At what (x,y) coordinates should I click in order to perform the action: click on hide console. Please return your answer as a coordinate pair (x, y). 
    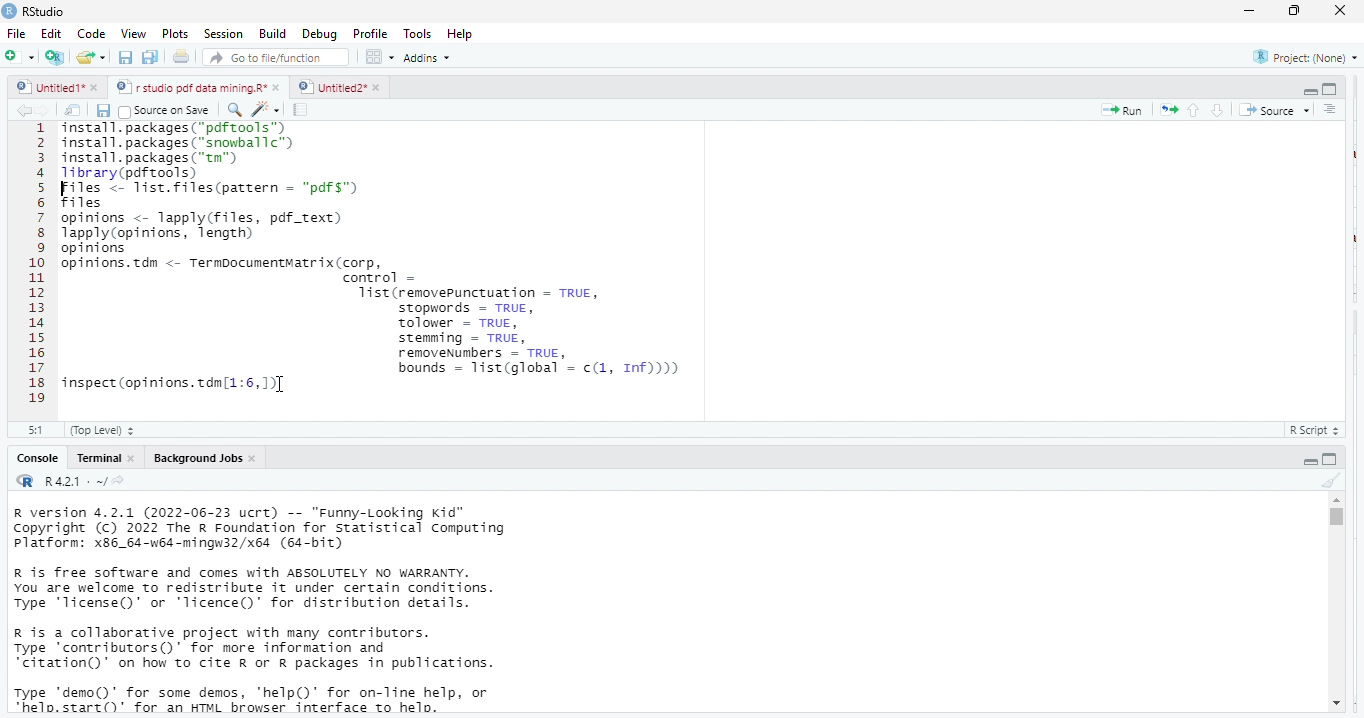
    Looking at the image, I should click on (1331, 458).